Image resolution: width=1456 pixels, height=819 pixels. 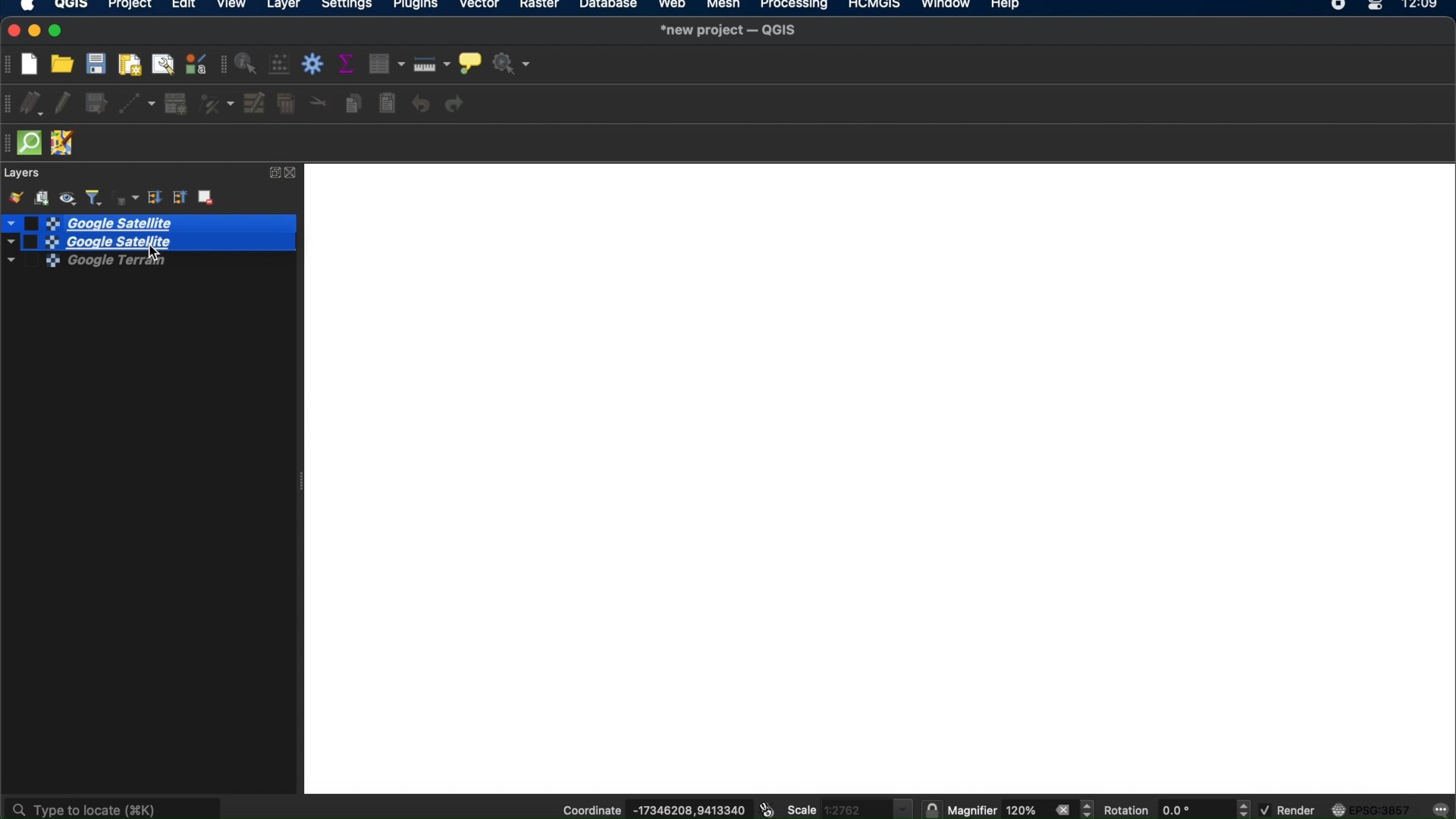 I want to click on recorder icon, so click(x=1339, y=6).